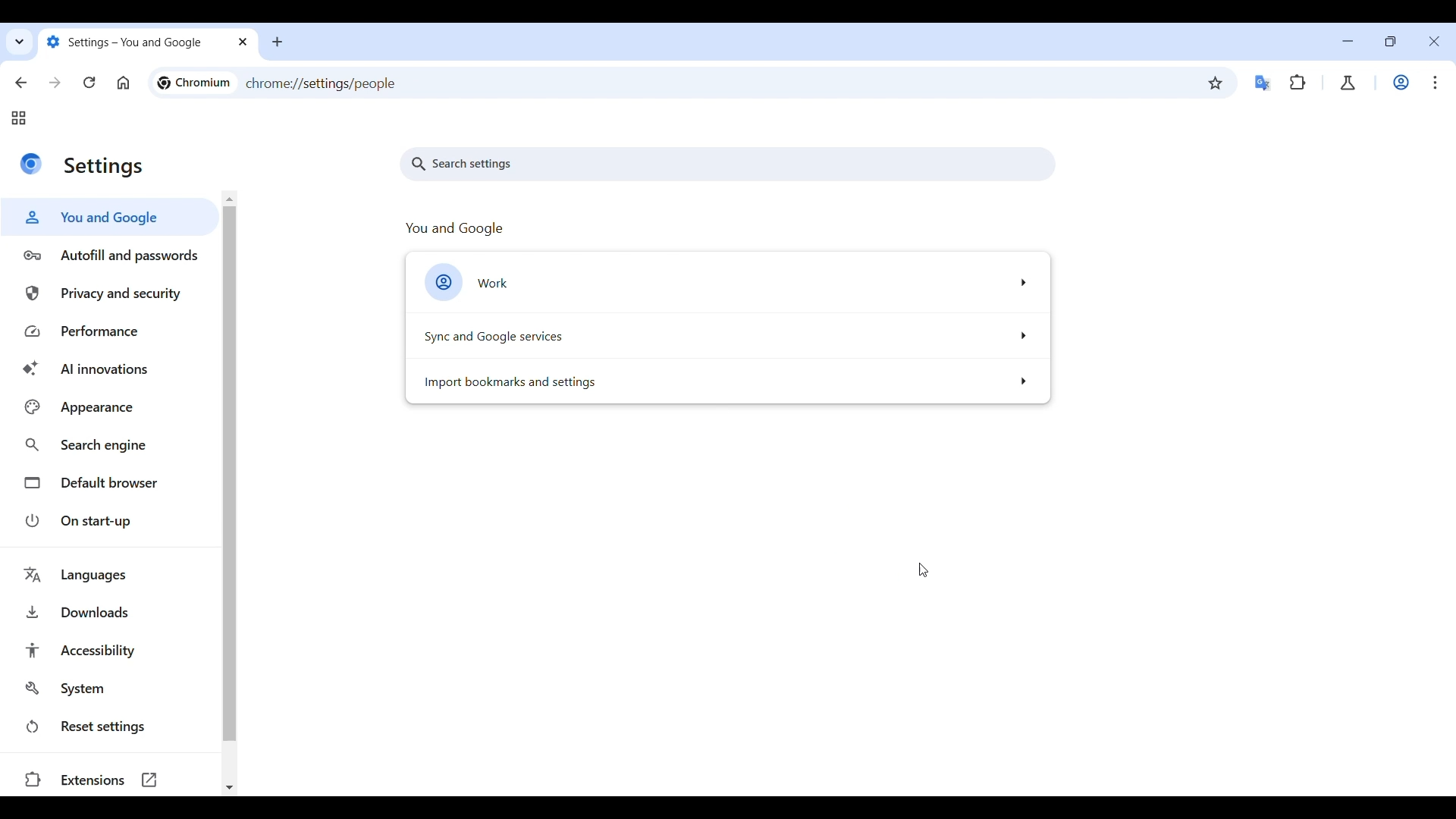 Image resolution: width=1456 pixels, height=819 pixels. I want to click on chromium, so click(193, 83).